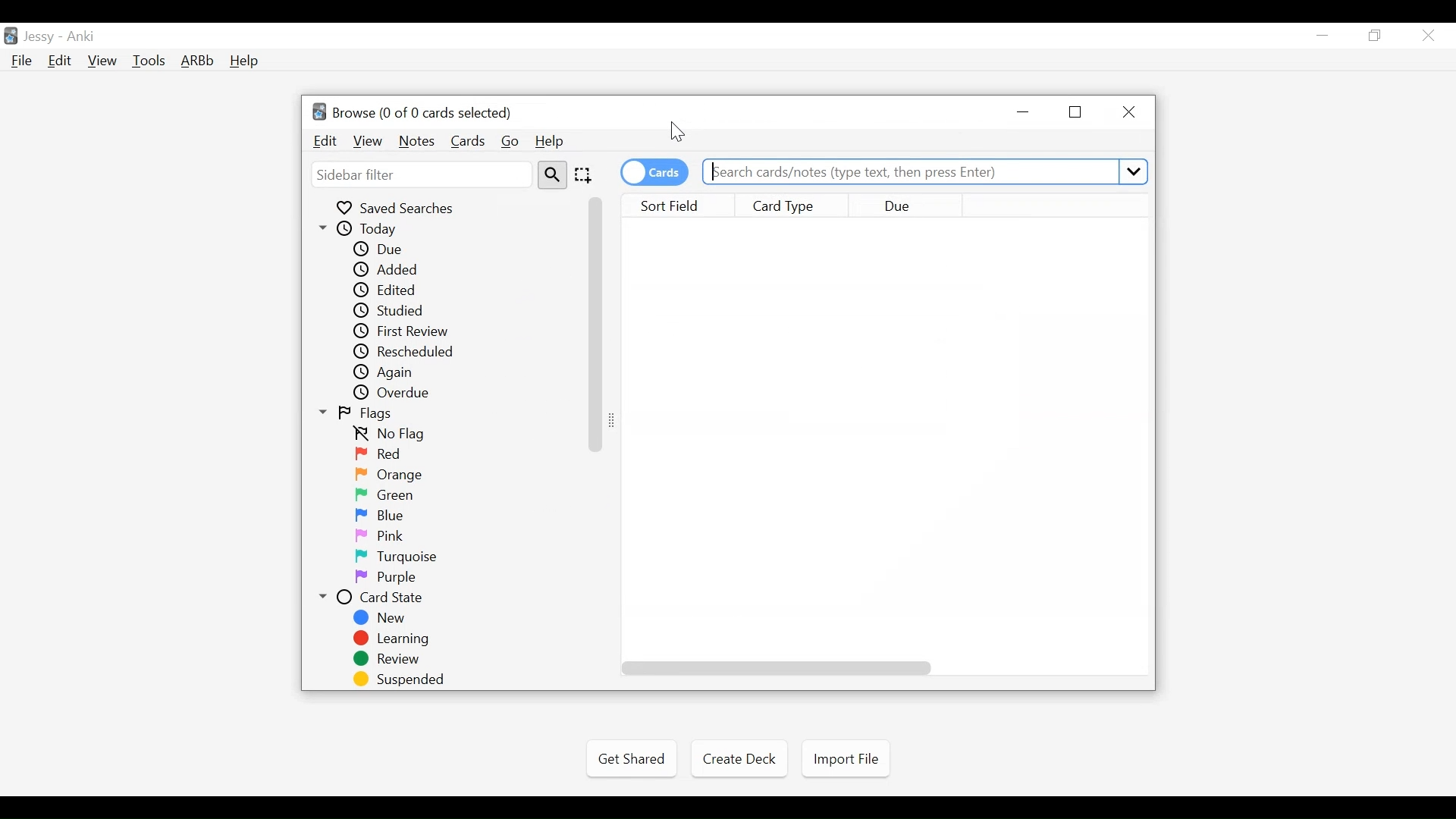 This screenshot has width=1456, height=819. I want to click on Anki, so click(84, 36).